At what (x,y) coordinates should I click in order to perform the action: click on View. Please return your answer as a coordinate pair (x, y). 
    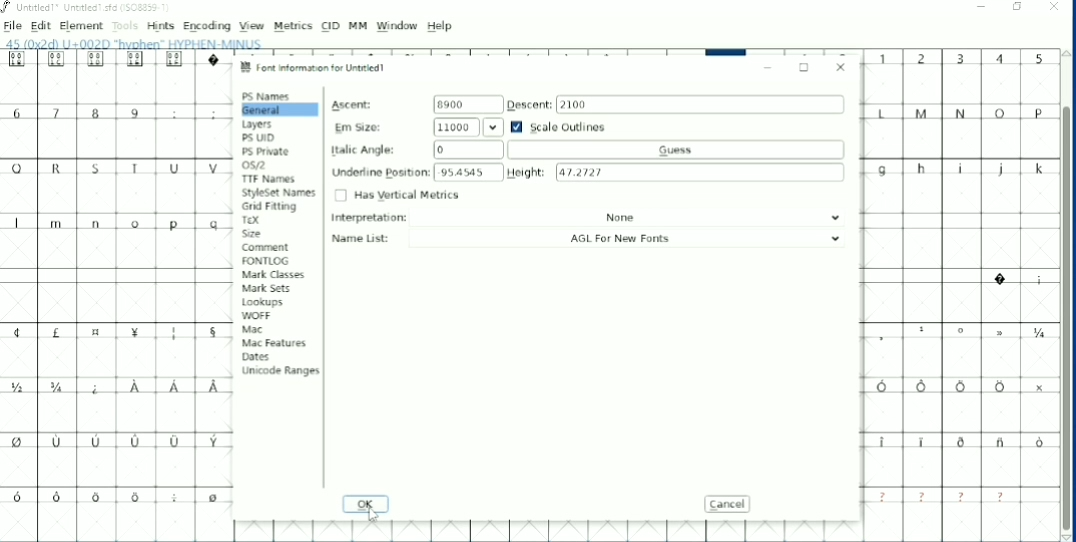
    Looking at the image, I should click on (252, 26).